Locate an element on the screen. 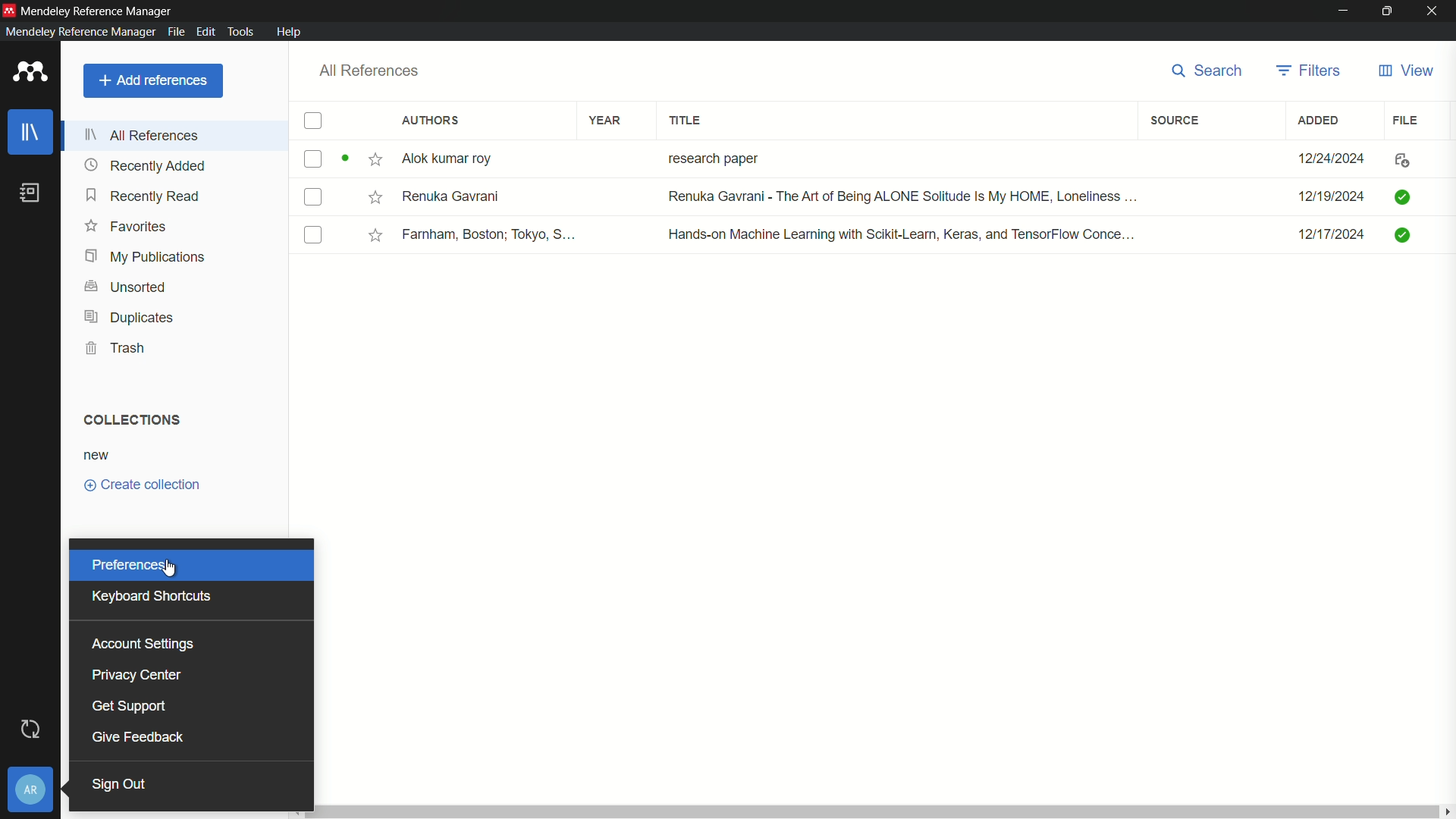 The width and height of the screenshot is (1456, 819). sign out is located at coordinates (120, 783).